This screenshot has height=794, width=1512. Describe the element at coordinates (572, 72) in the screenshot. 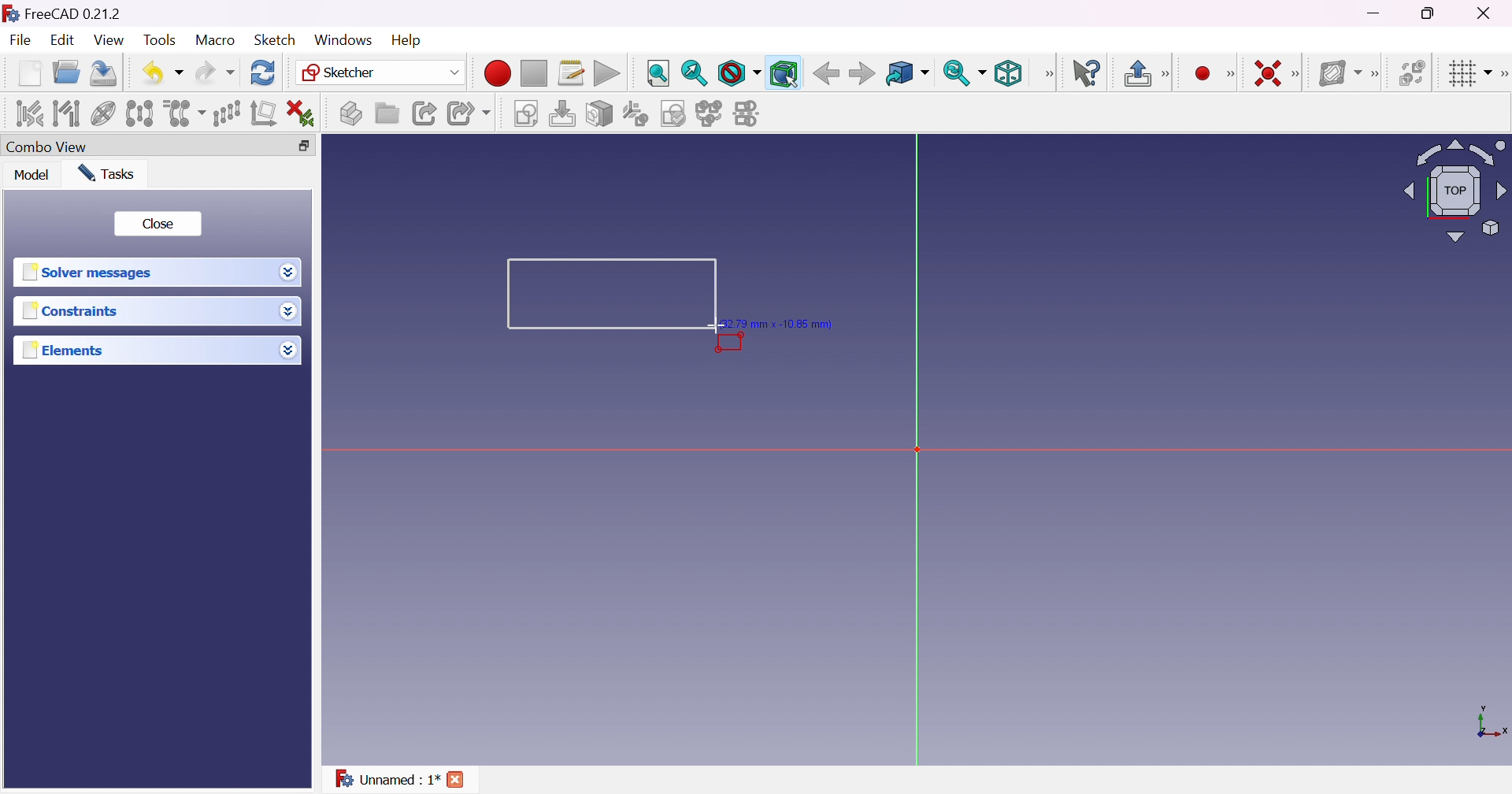

I see `Macros` at that location.